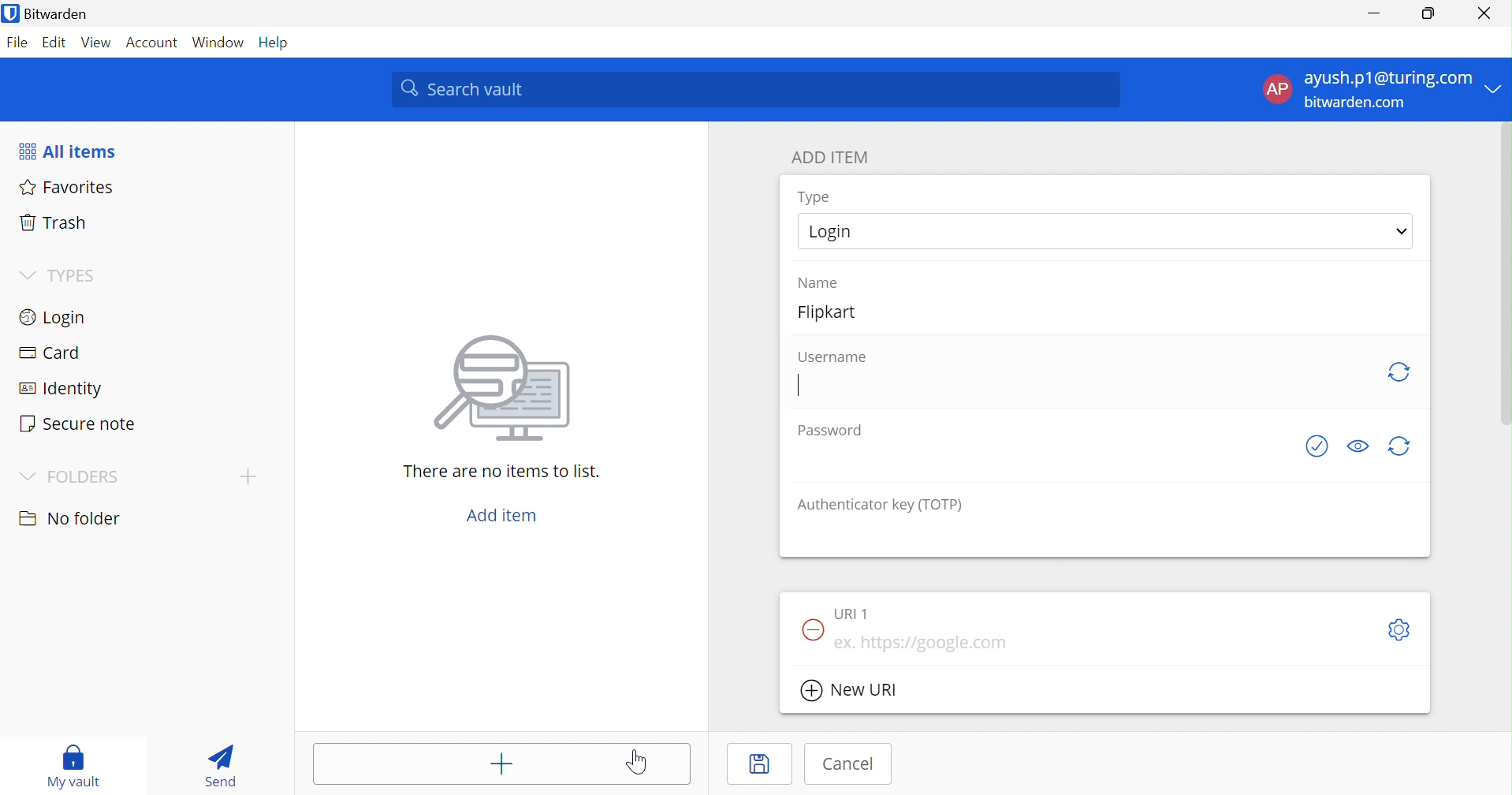 The width and height of the screenshot is (1512, 795). Describe the element at coordinates (501, 765) in the screenshot. I see `Add item` at that location.